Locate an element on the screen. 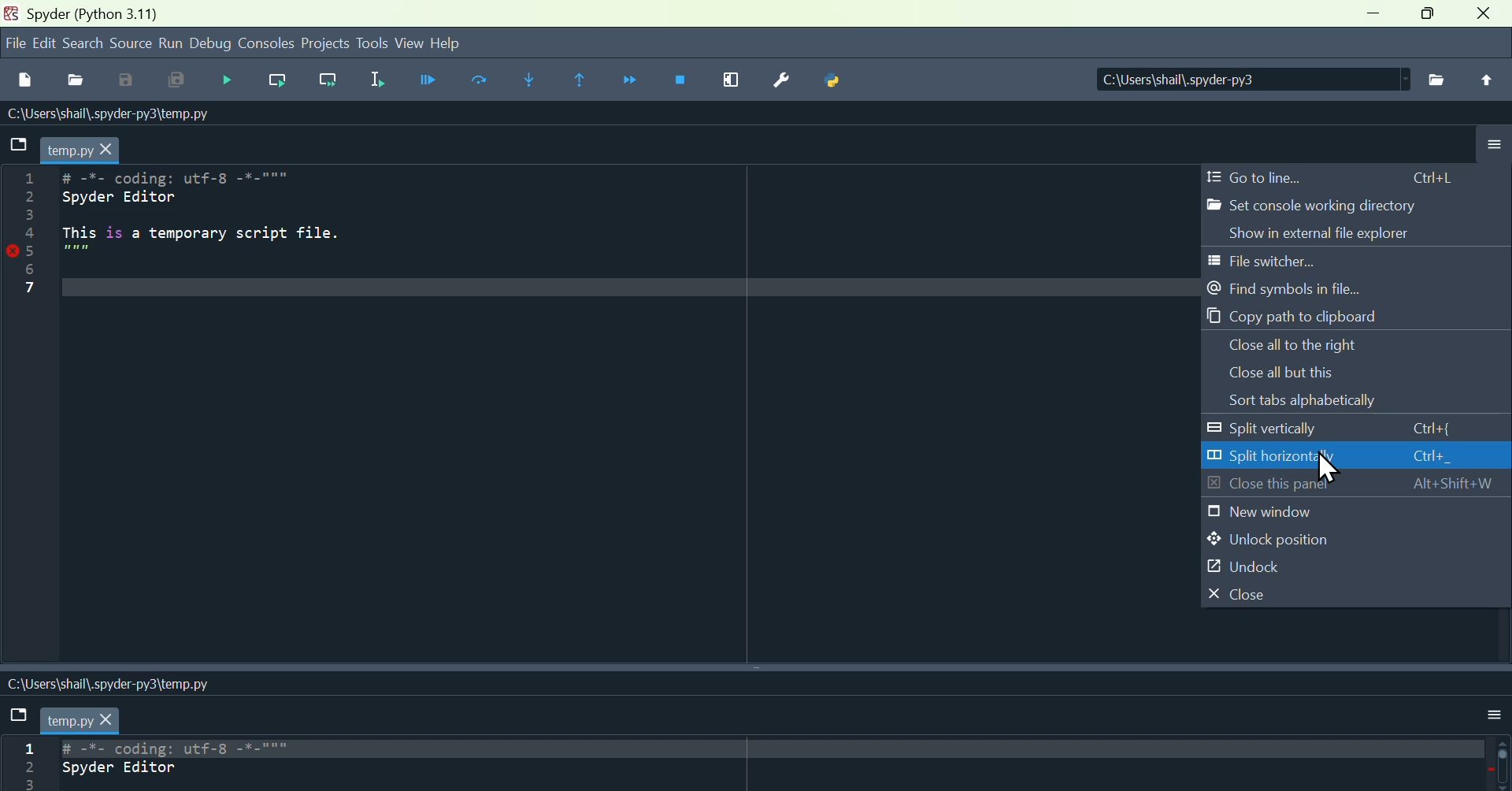 Image resolution: width=1512 pixels, height=791 pixels. folder is located at coordinates (17, 143).